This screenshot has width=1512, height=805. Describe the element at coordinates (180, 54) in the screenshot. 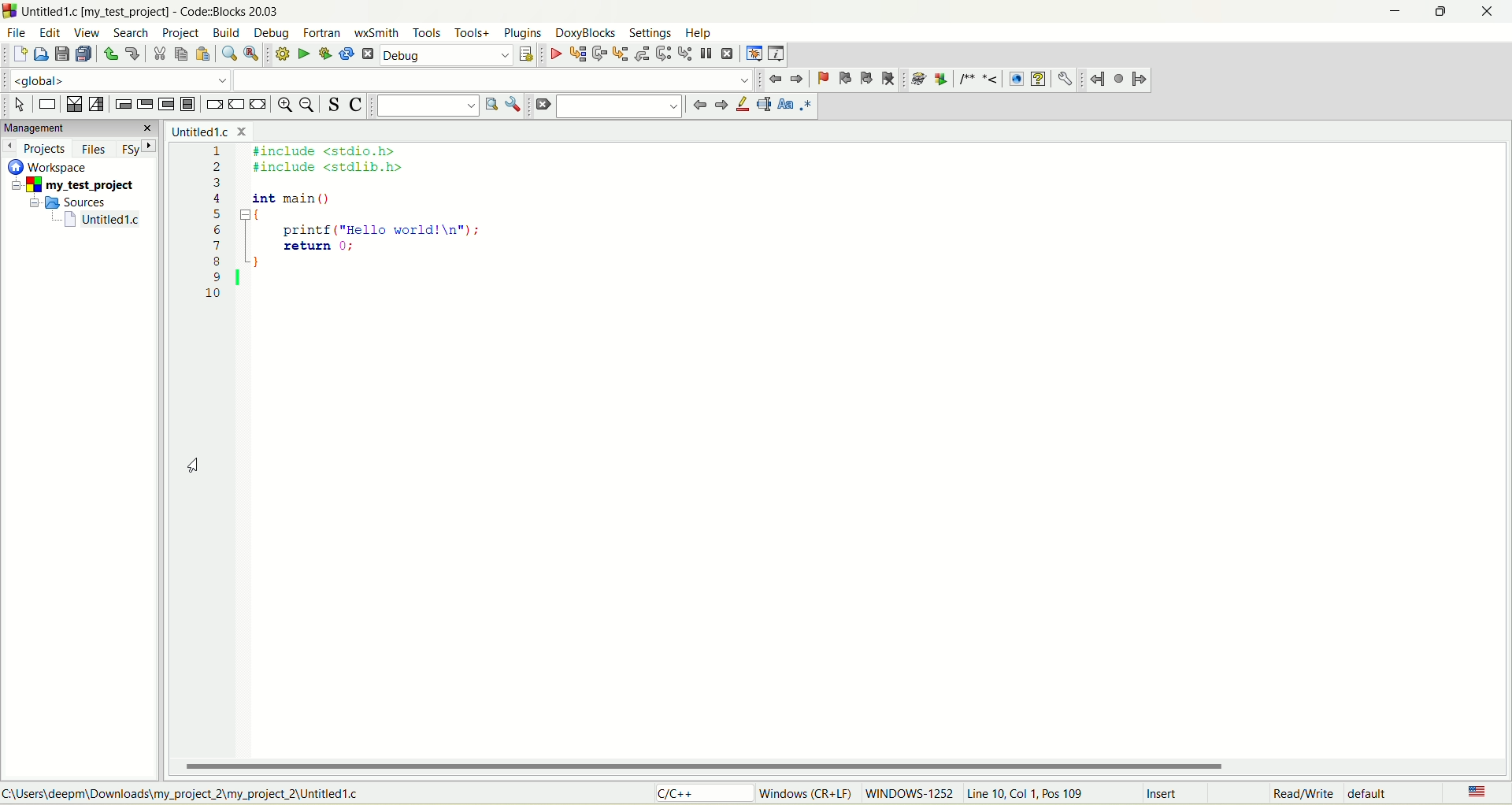

I see `copy` at that location.